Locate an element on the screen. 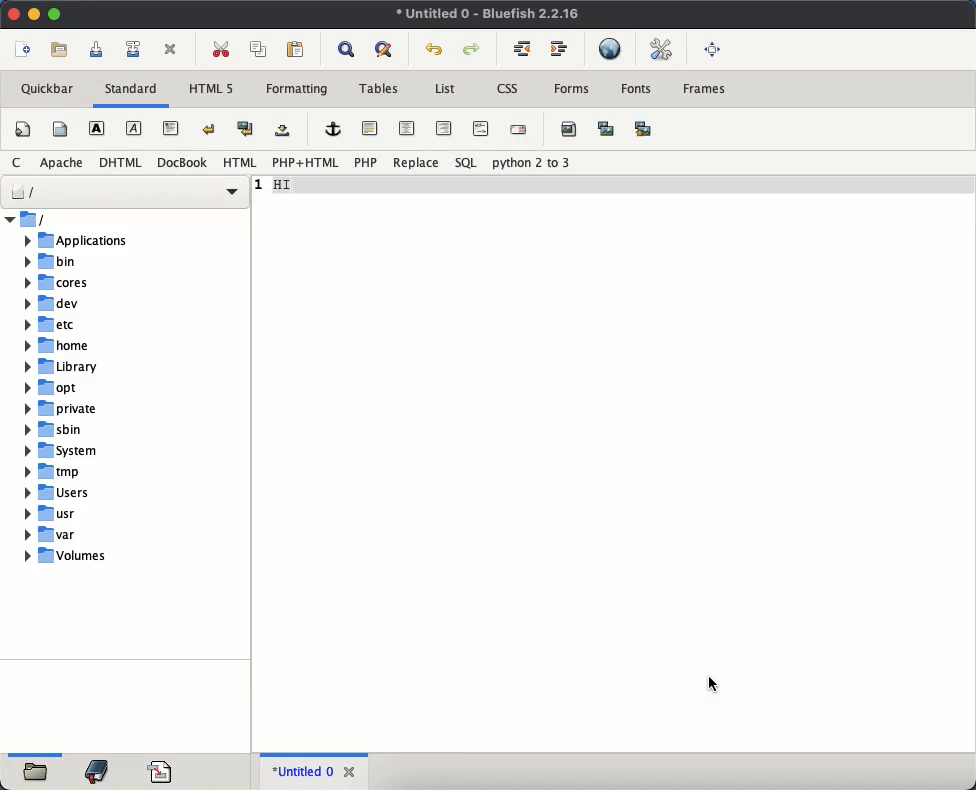 The height and width of the screenshot is (790, 976). center is located at coordinates (407, 129).